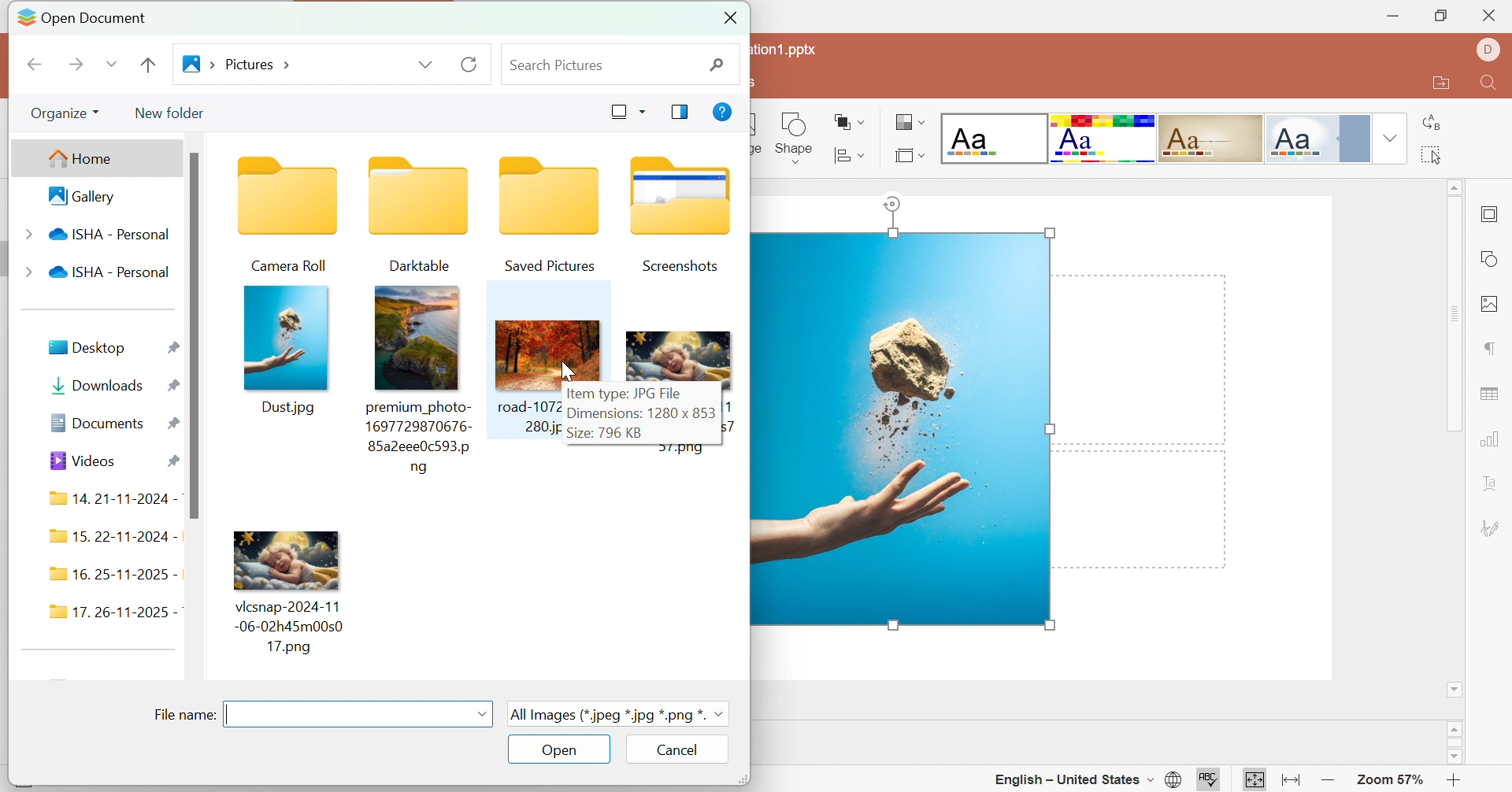 The width and height of the screenshot is (1512, 792). What do you see at coordinates (1492, 255) in the screenshot?
I see `shape settings` at bounding box center [1492, 255].